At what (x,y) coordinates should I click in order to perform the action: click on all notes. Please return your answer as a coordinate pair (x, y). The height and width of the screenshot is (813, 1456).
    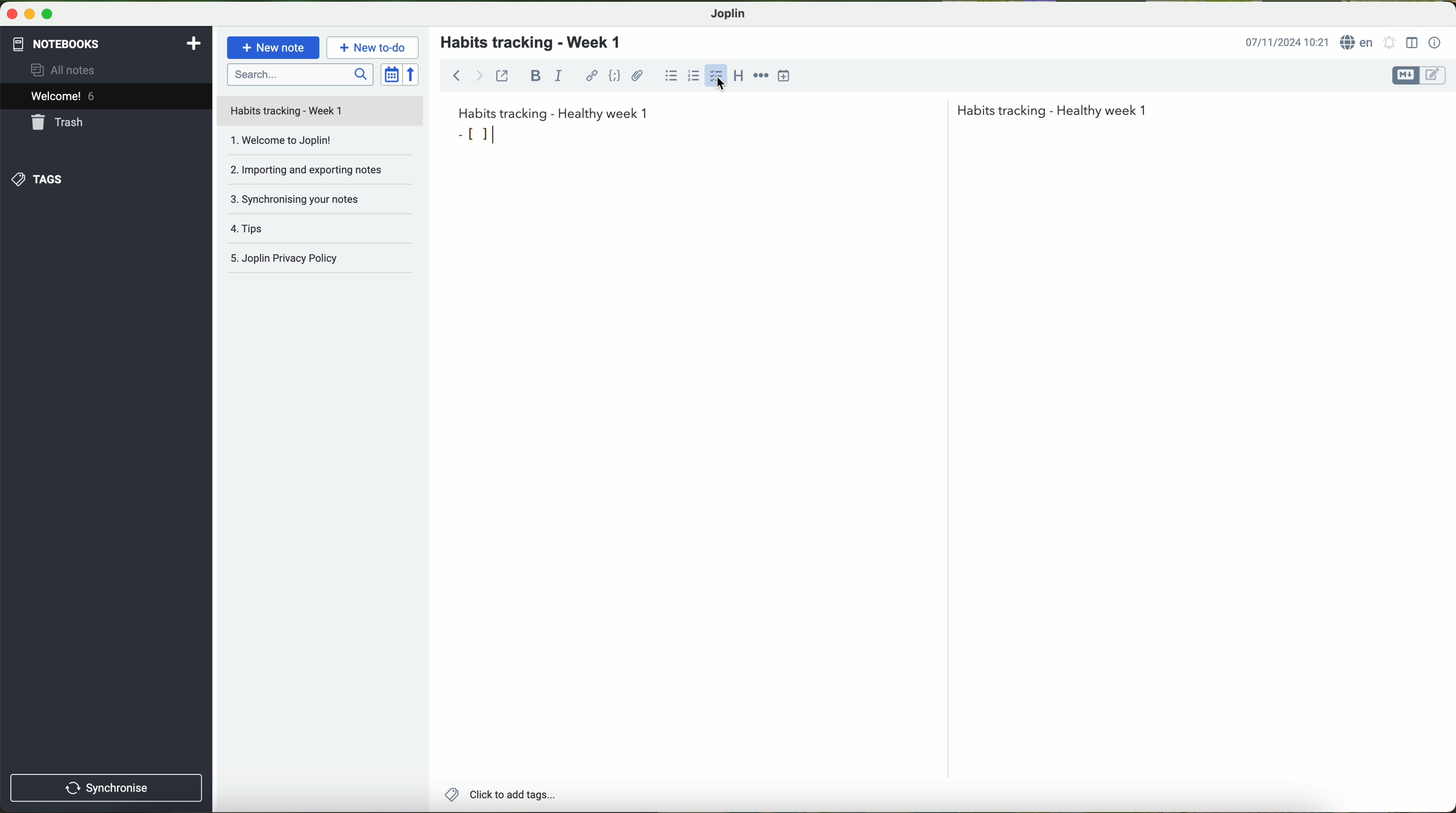
    Looking at the image, I should click on (66, 69).